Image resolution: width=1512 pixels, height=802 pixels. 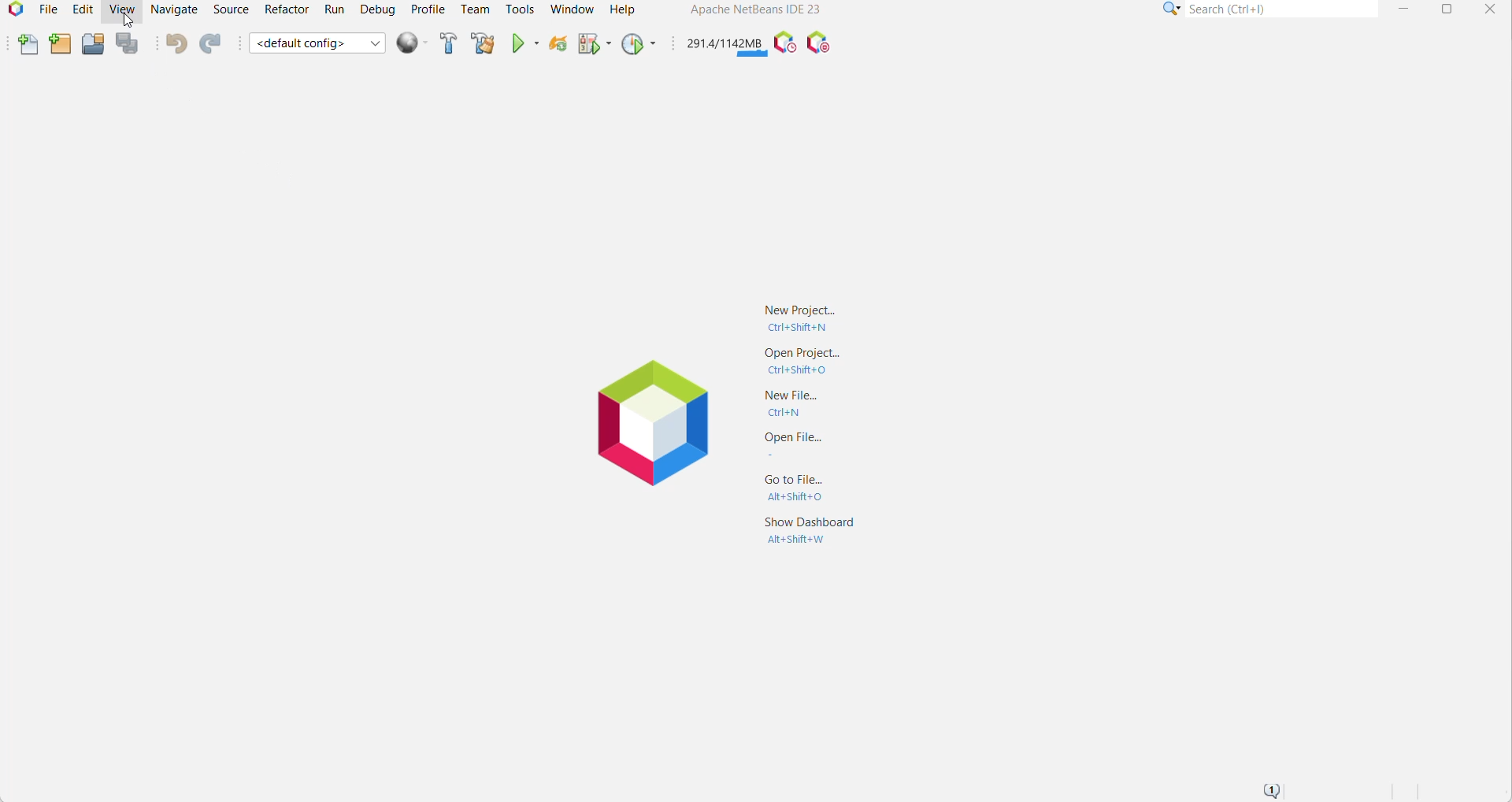 I want to click on Application Logo, so click(x=13, y=11).